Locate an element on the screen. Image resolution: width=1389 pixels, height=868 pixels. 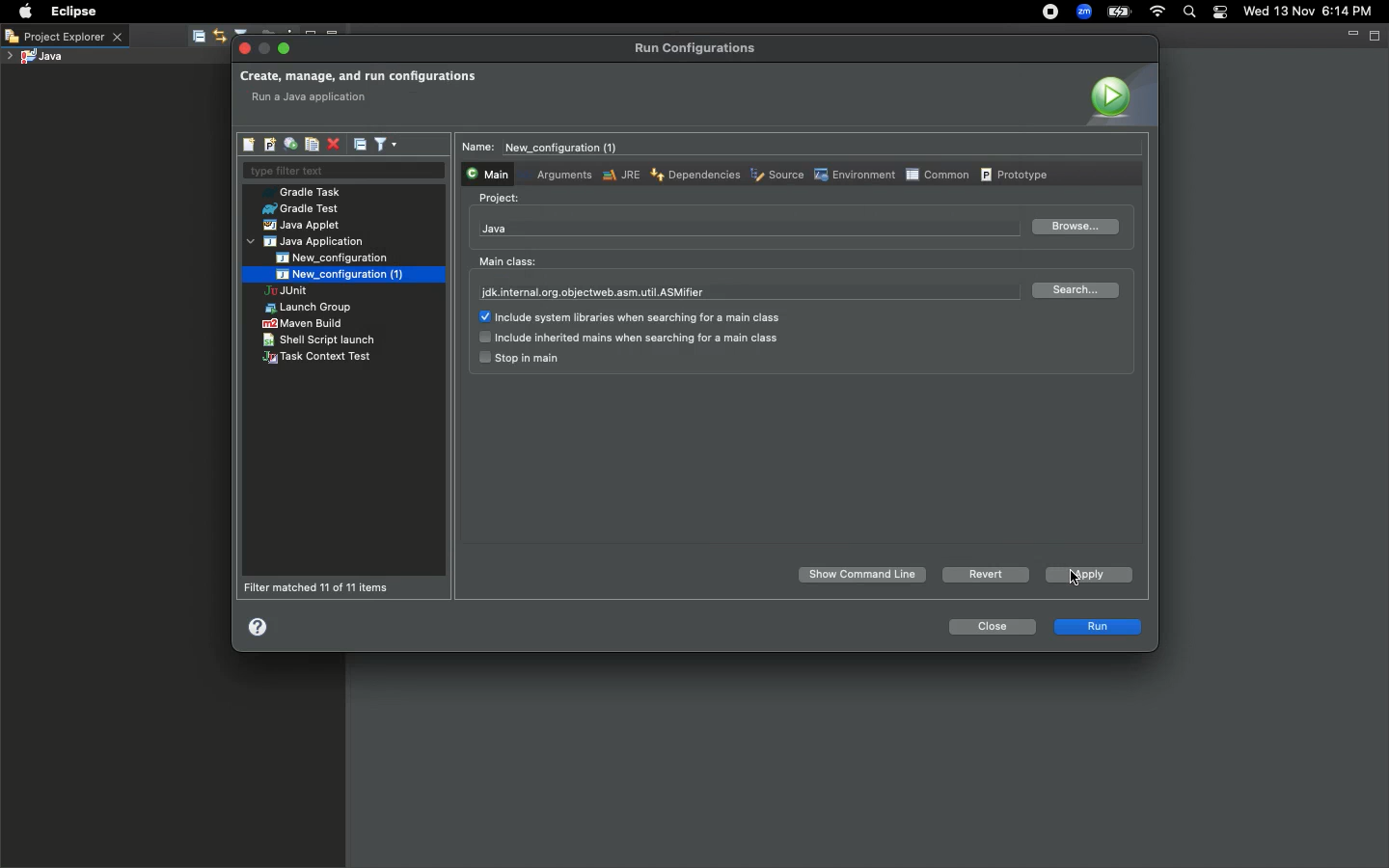
Main class: is located at coordinates (507, 261).